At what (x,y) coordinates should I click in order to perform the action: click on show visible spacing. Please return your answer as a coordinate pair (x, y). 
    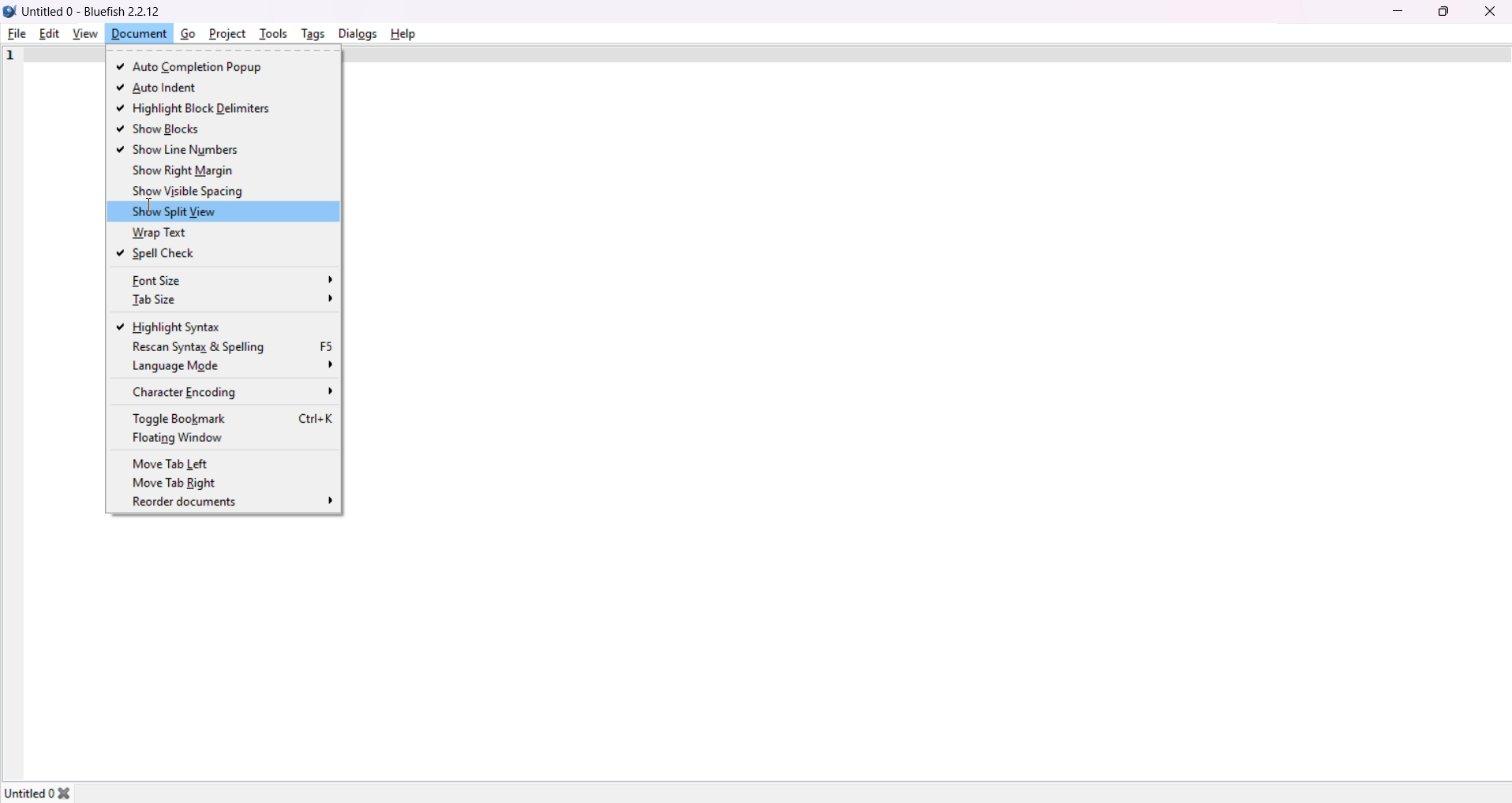
    Looking at the image, I should click on (189, 191).